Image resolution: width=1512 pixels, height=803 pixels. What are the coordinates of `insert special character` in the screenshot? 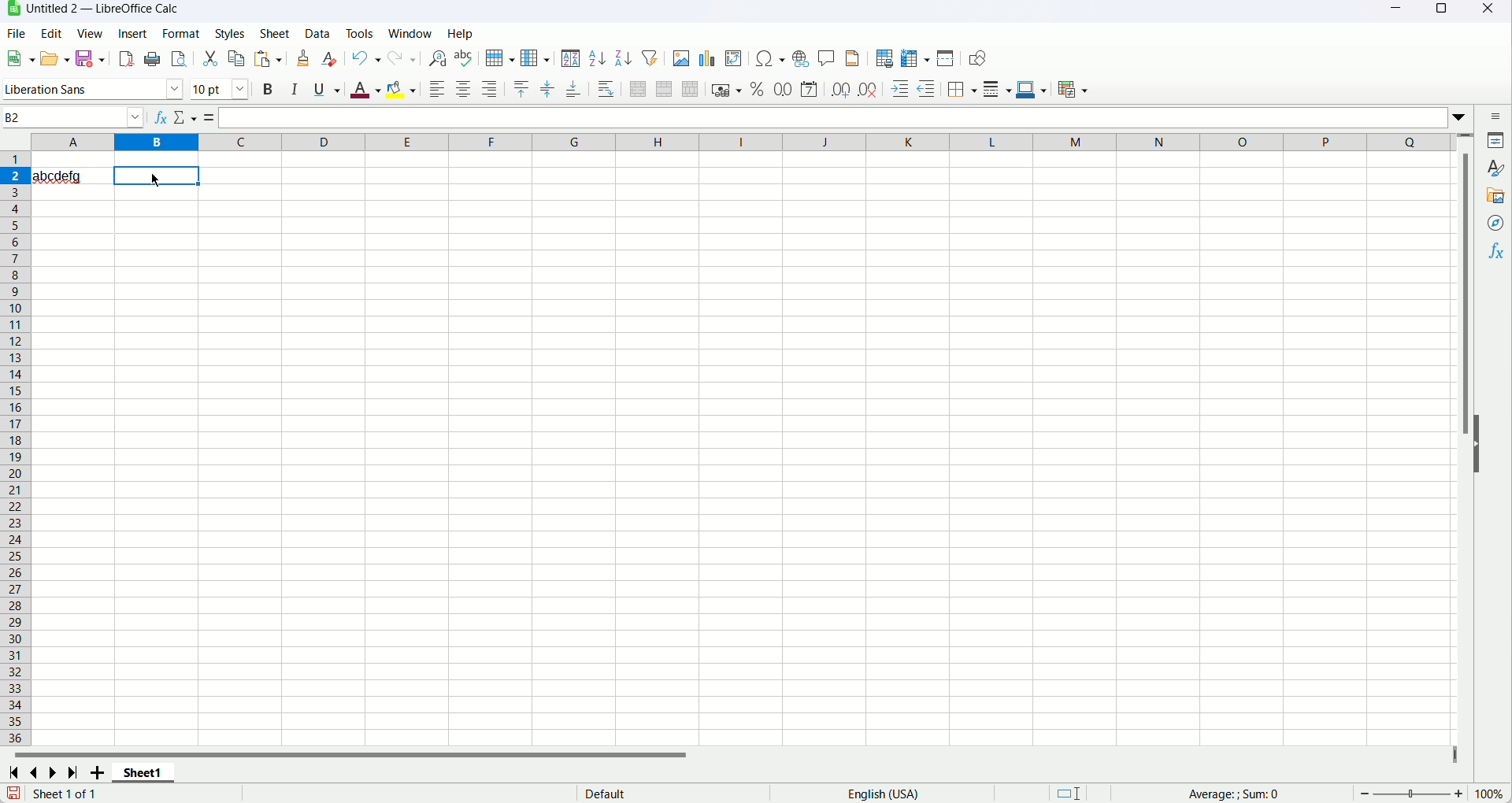 It's located at (769, 60).